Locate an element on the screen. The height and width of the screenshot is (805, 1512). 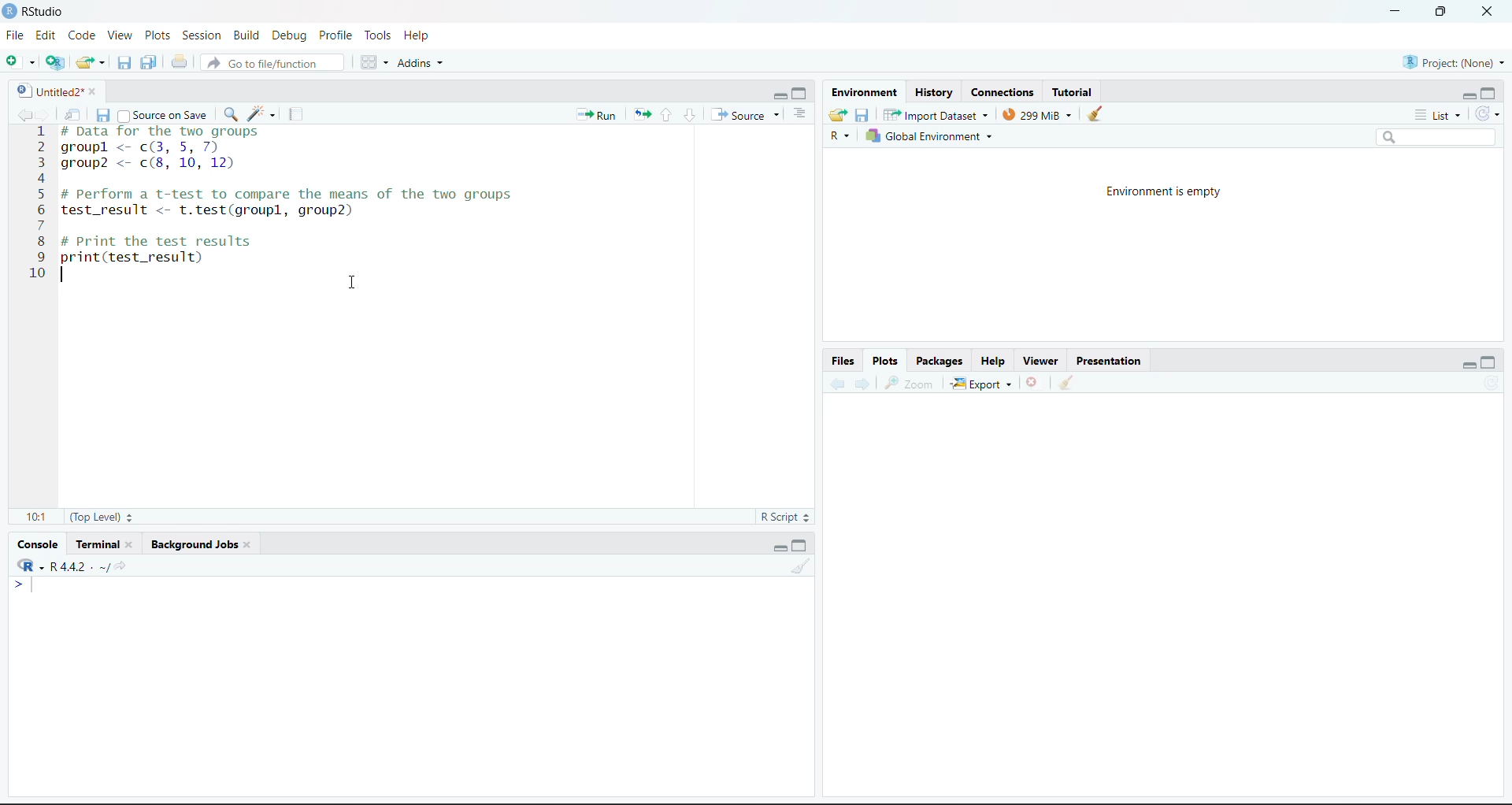
go forward to the next source location is located at coordinates (46, 114).